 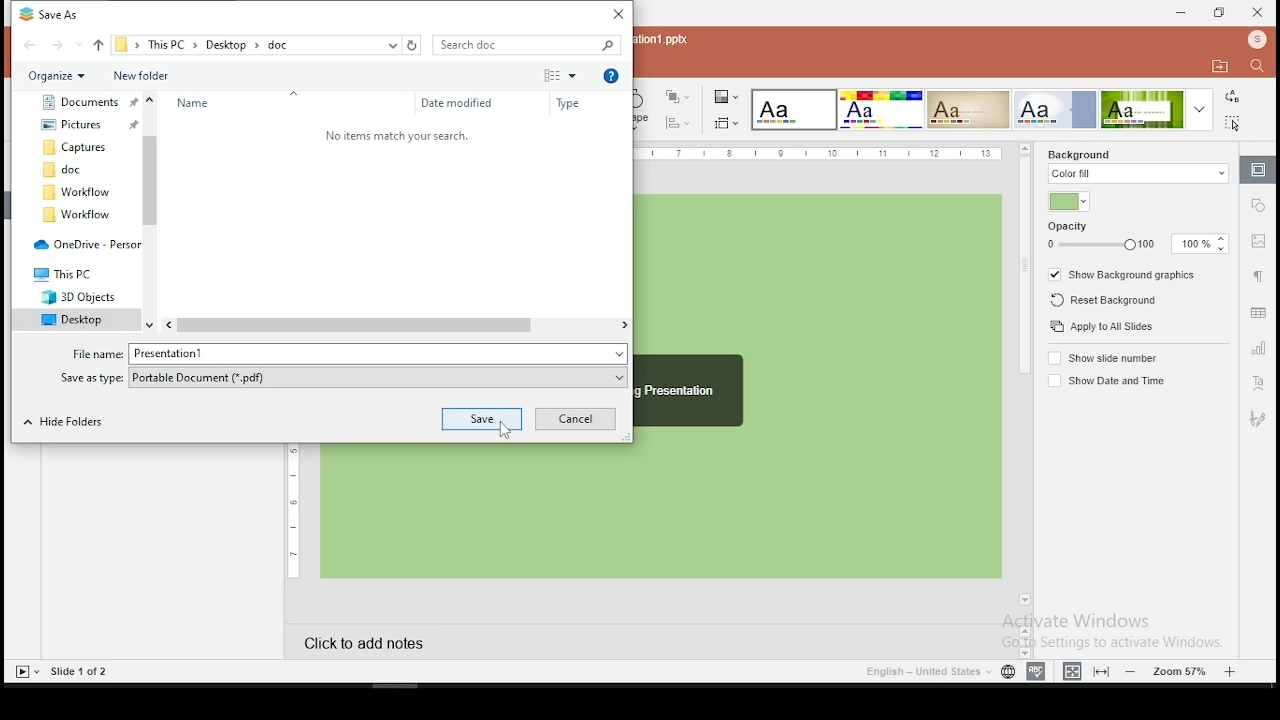 What do you see at coordinates (30, 44) in the screenshot?
I see `go back` at bounding box center [30, 44].